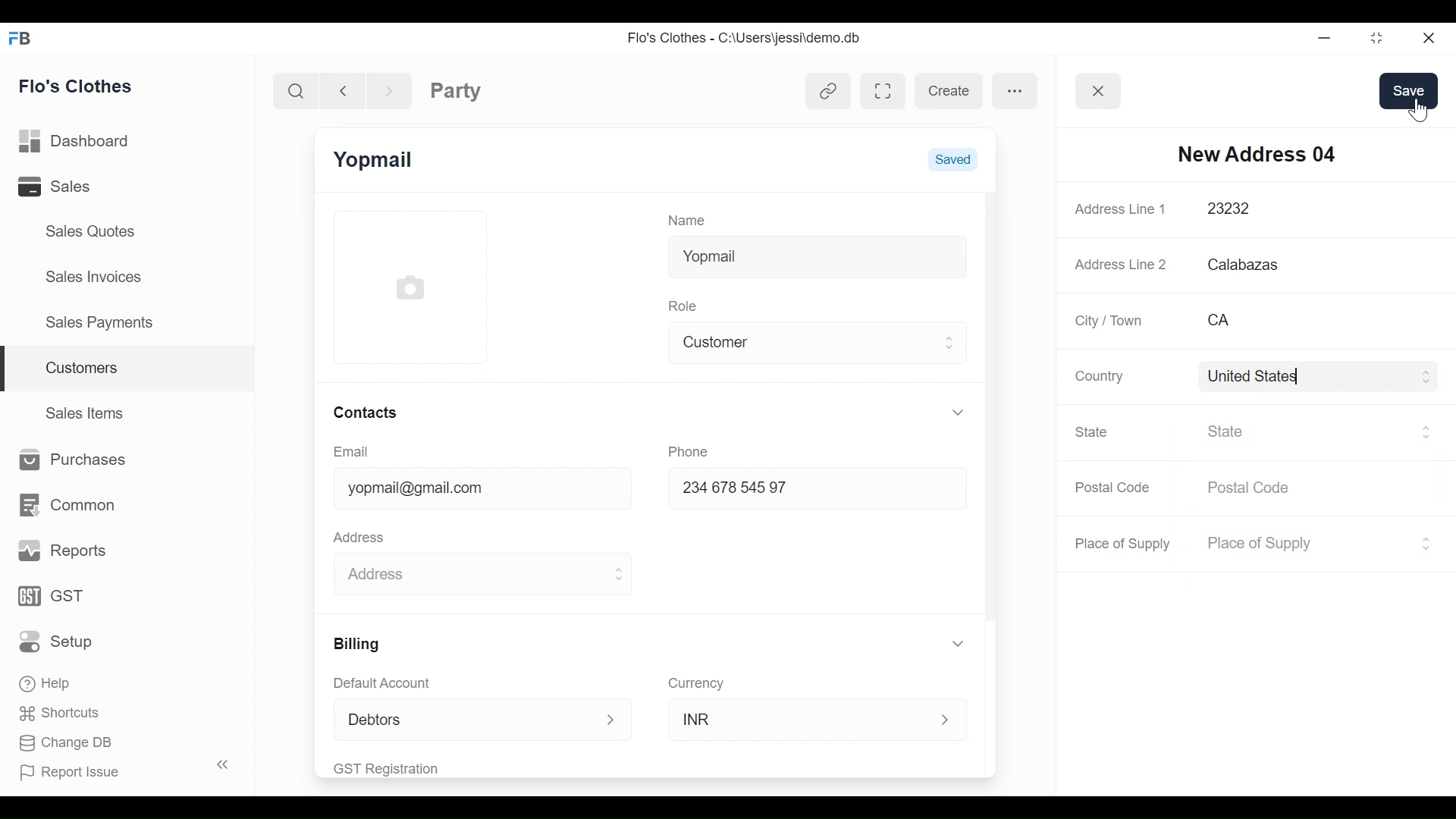  What do you see at coordinates (355, 644) in the screenshot?
I see `Billing` at bounding box center [355, 644].